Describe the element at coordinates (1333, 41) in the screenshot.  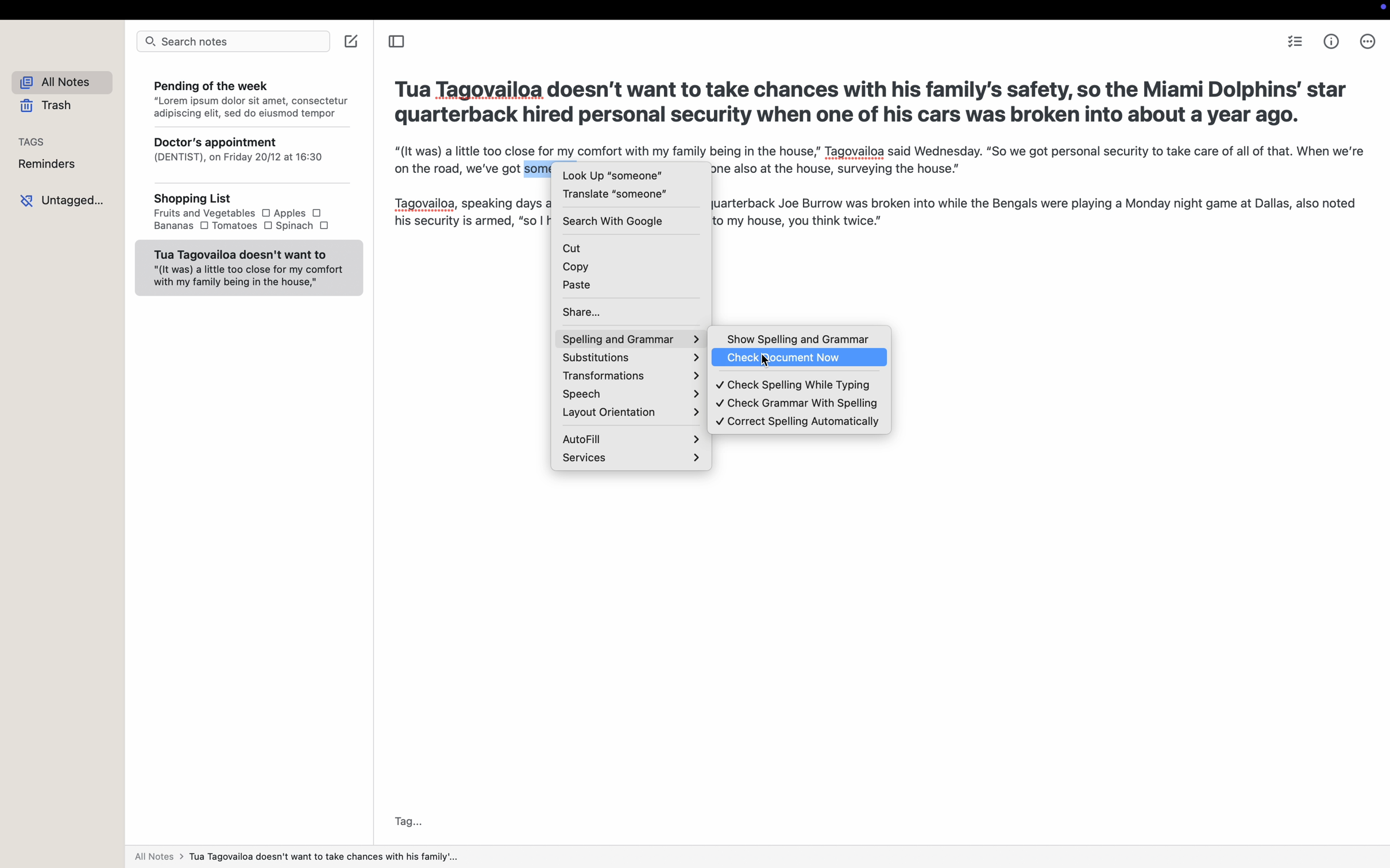
I see `metrics` at that location.